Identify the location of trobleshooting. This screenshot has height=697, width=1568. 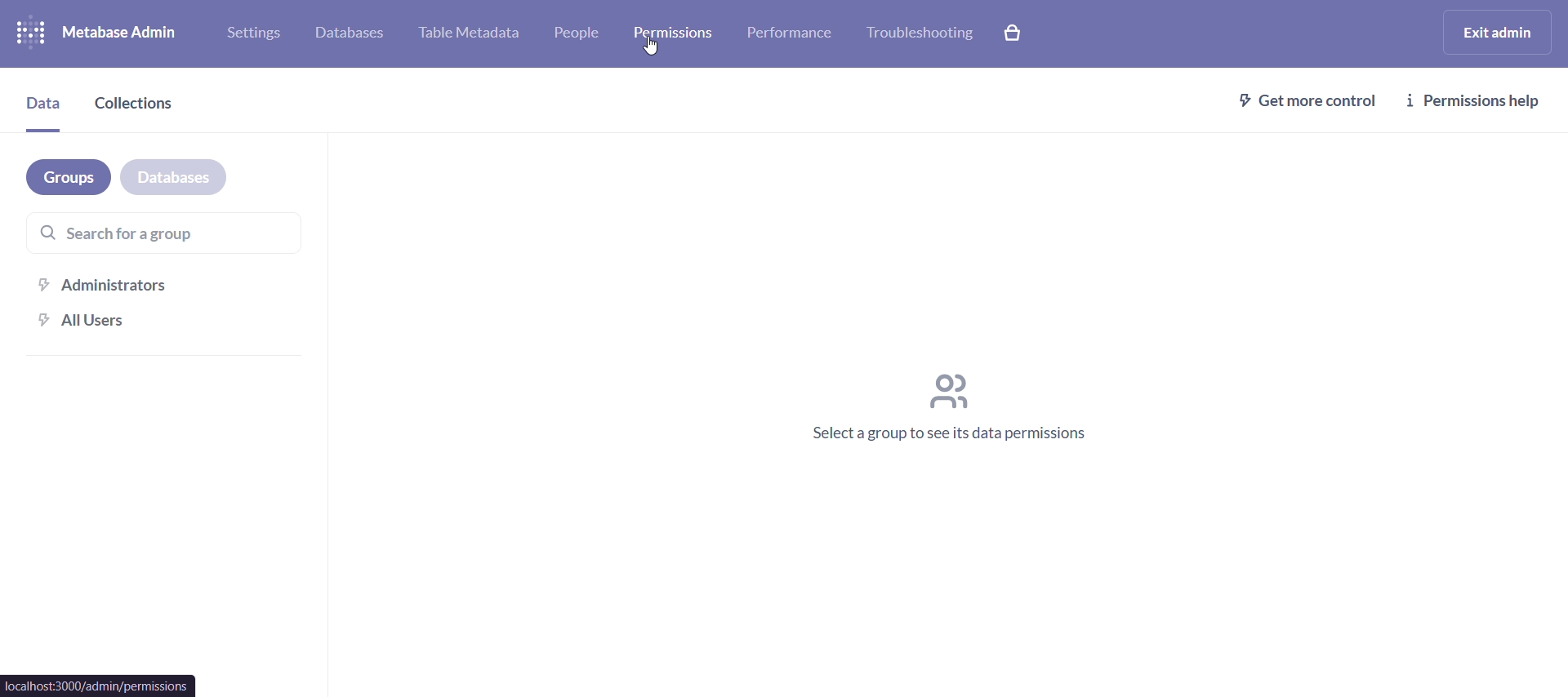
(919, 32).